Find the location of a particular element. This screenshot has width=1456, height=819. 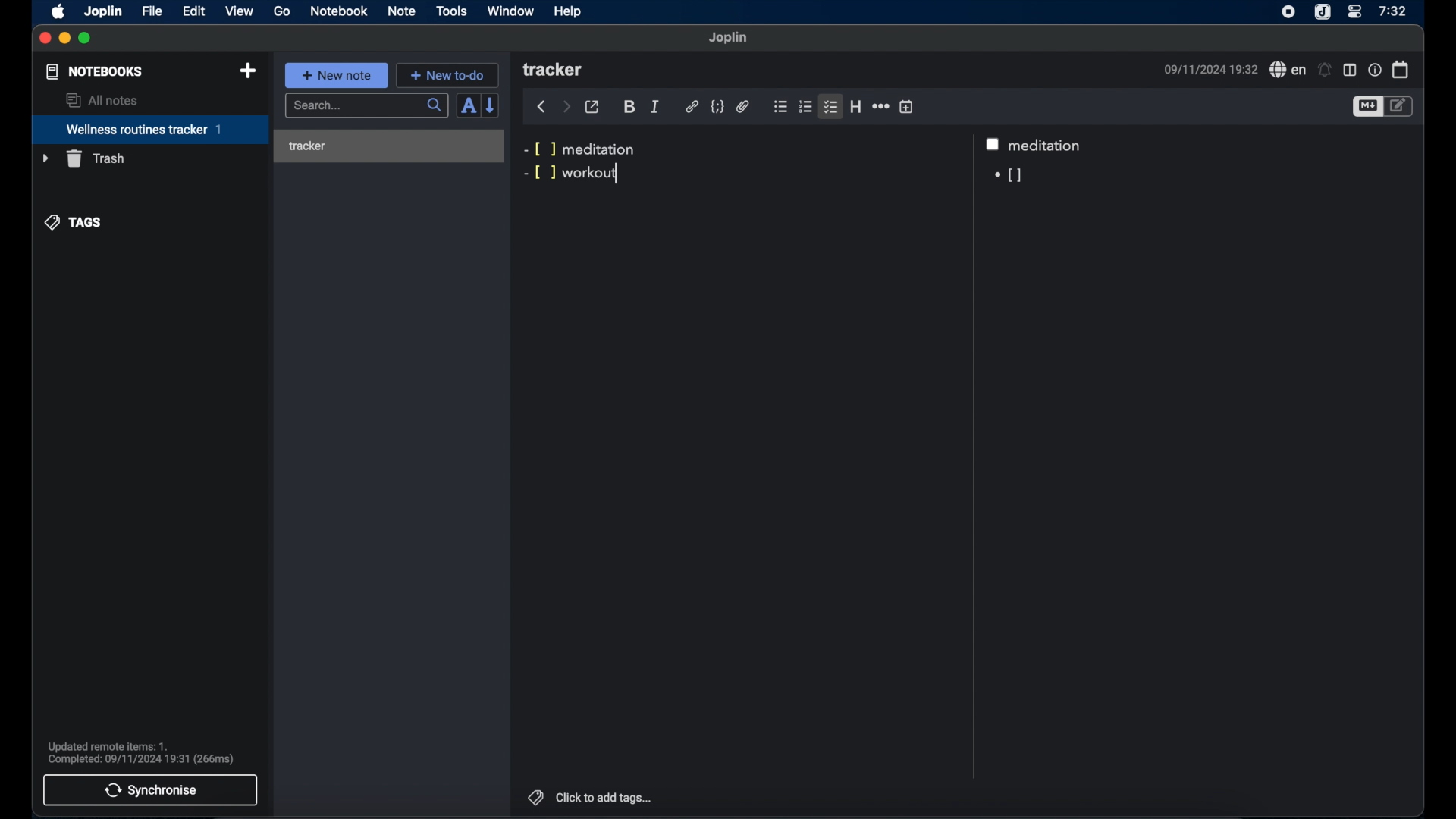

tracker is located at coordinates (554, 71).